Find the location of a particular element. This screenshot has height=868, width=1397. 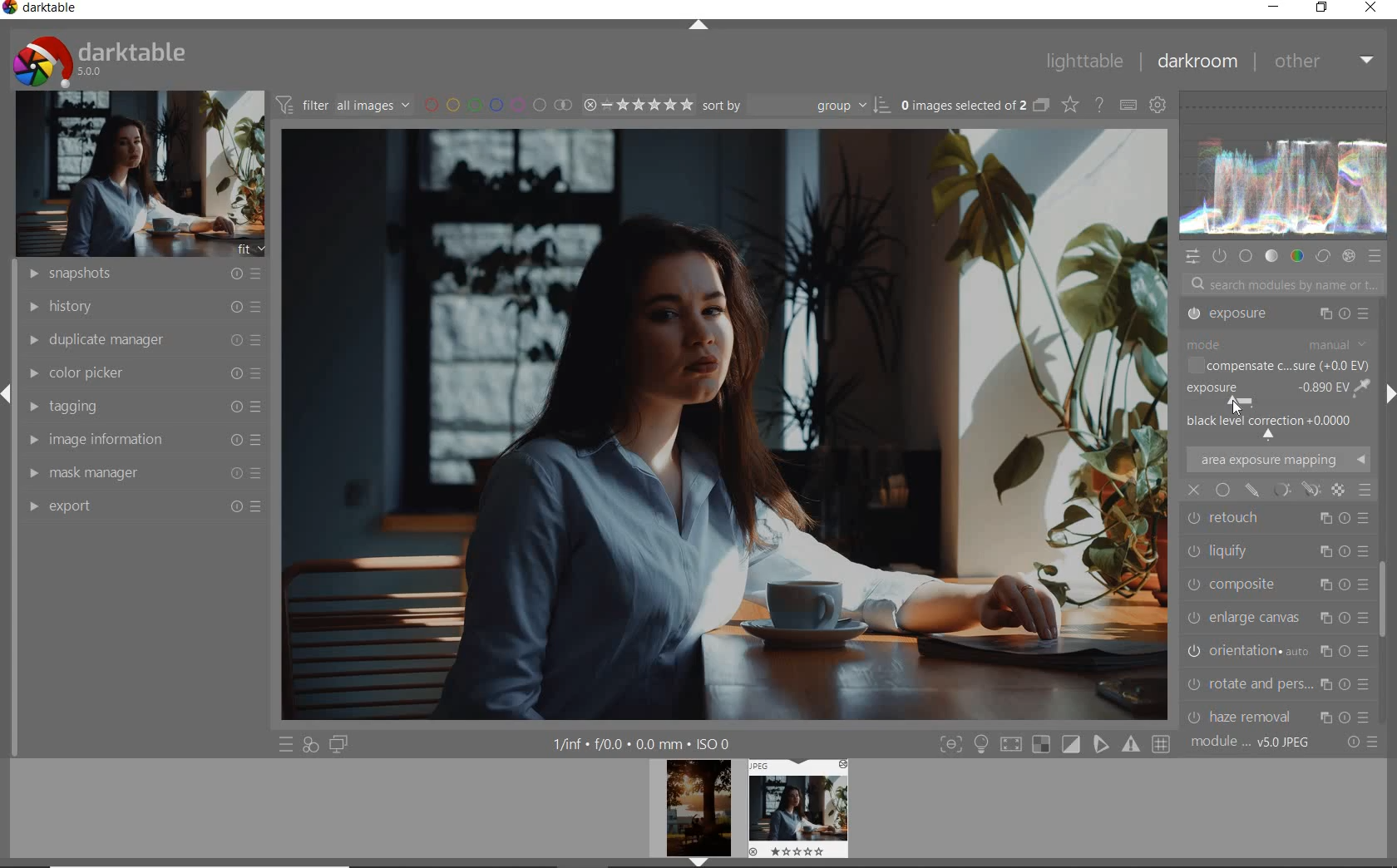

DISPLAY A SECOND DARKROOM IMAGE WINDOW is located at coordinates (339, 745).